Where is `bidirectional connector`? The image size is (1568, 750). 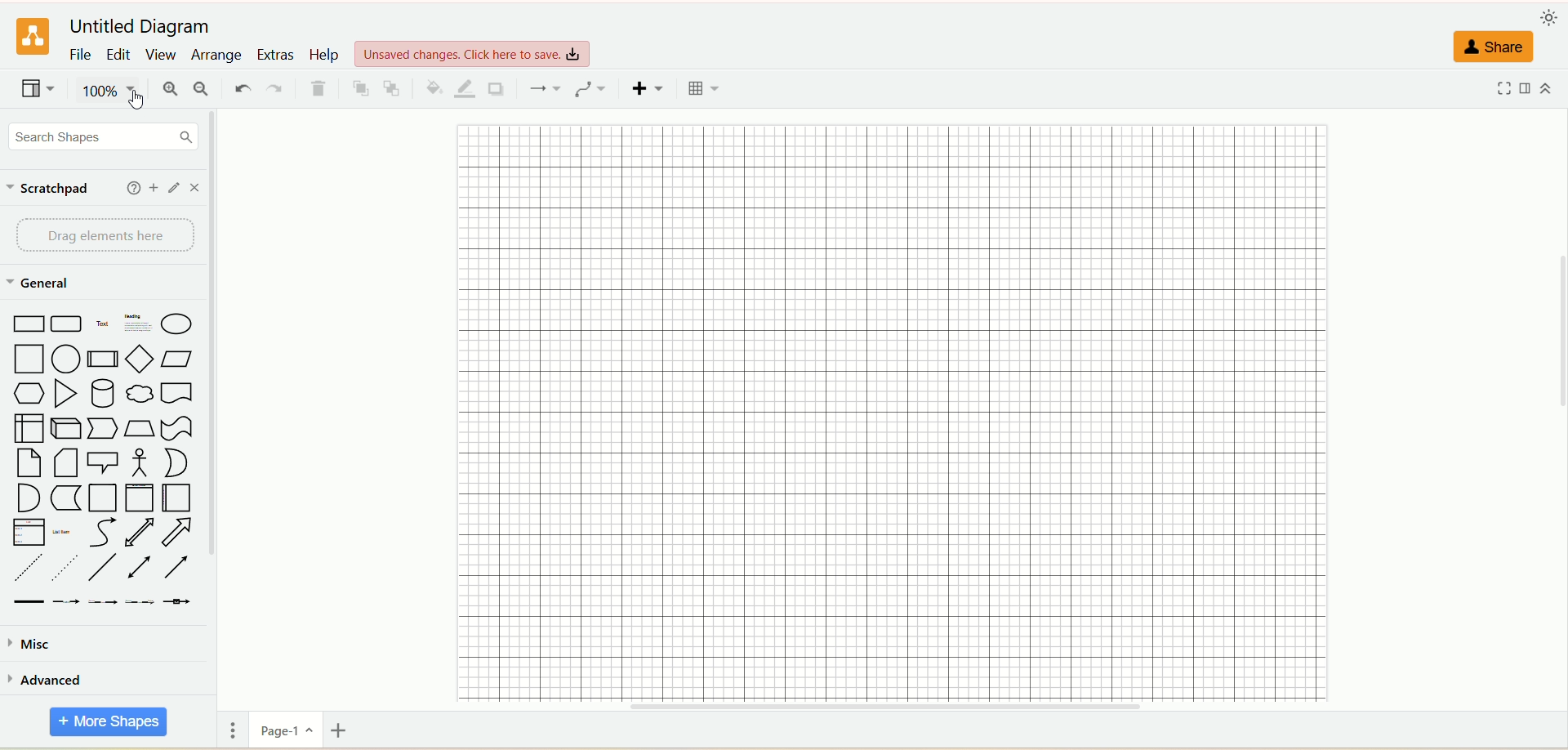
bidirectional connector is located at coordinates (140, 568).